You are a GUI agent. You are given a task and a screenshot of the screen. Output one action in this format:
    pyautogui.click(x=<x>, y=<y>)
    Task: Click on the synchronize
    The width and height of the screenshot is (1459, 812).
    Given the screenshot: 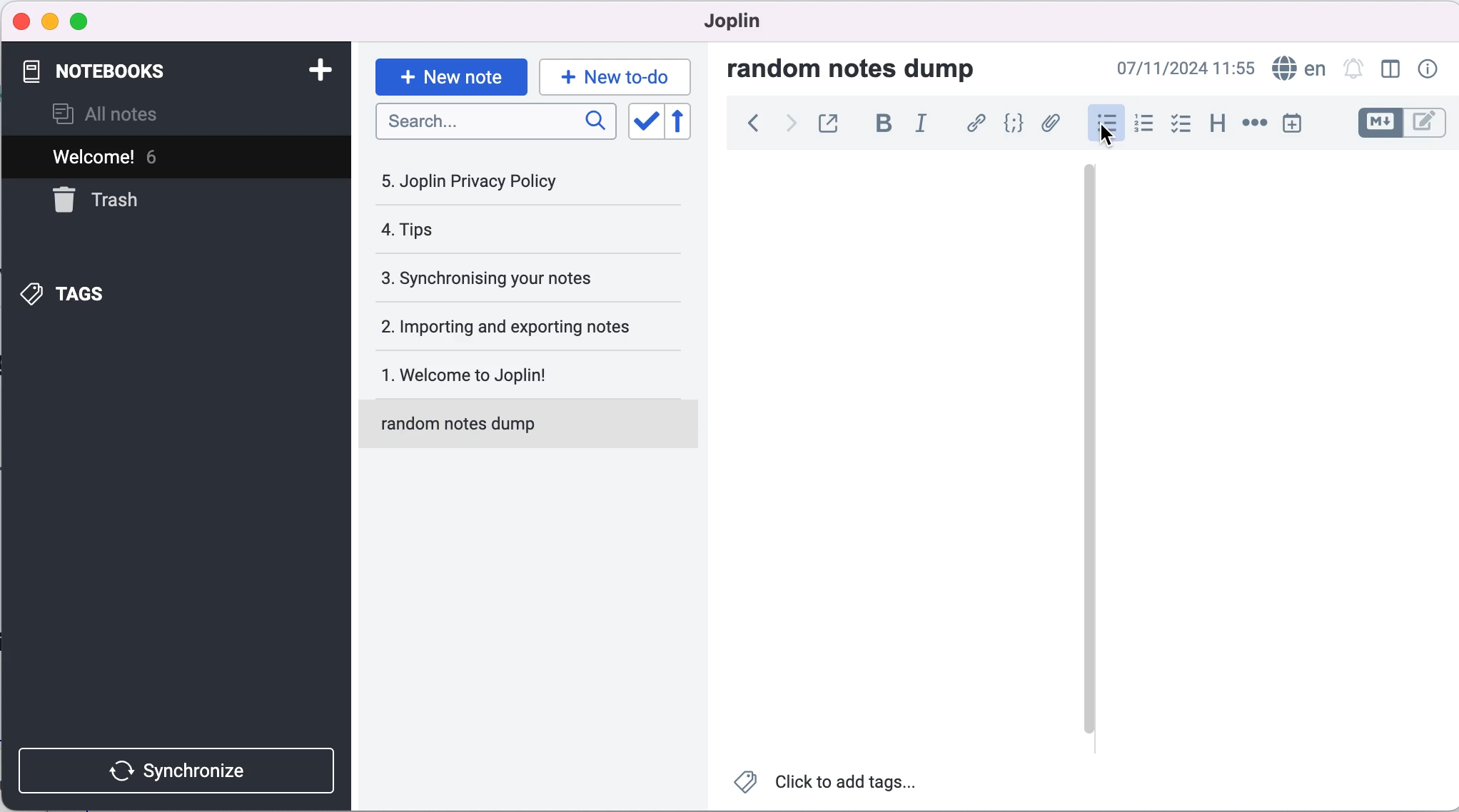 What is the action you would take?
    pyautogui.click(x=180, y=767)
    